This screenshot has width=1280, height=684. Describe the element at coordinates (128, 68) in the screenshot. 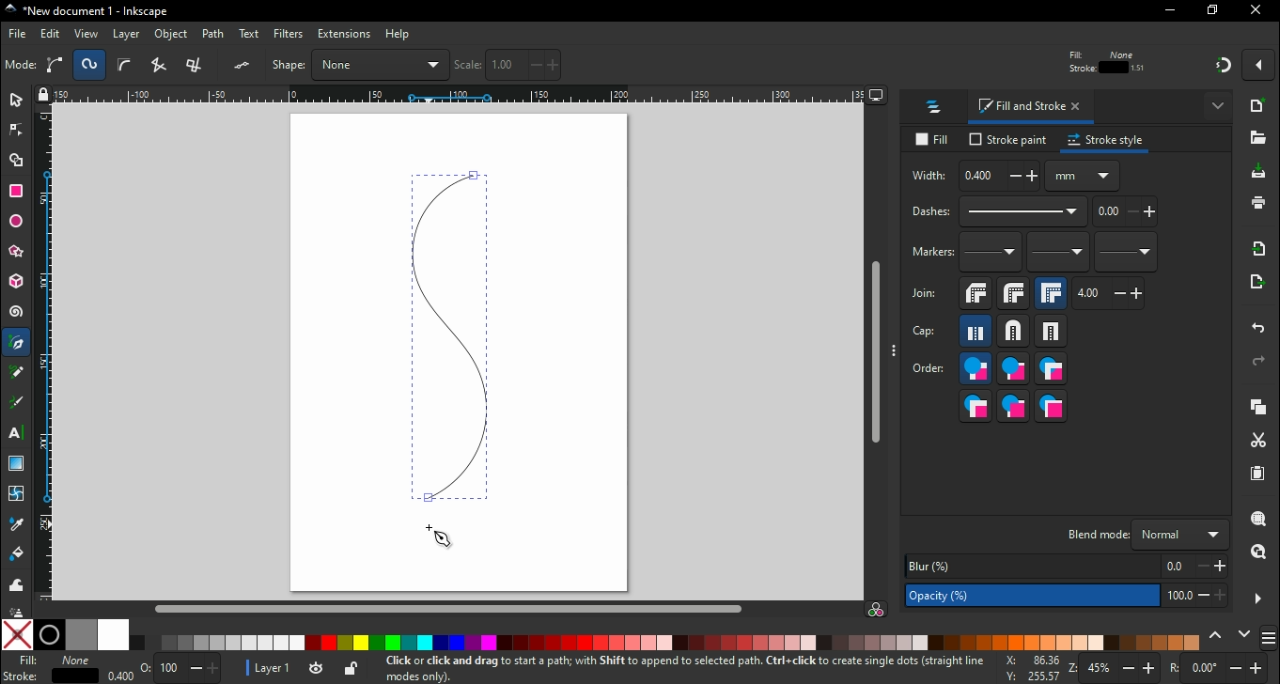

I see `create BSplain path` at that location.